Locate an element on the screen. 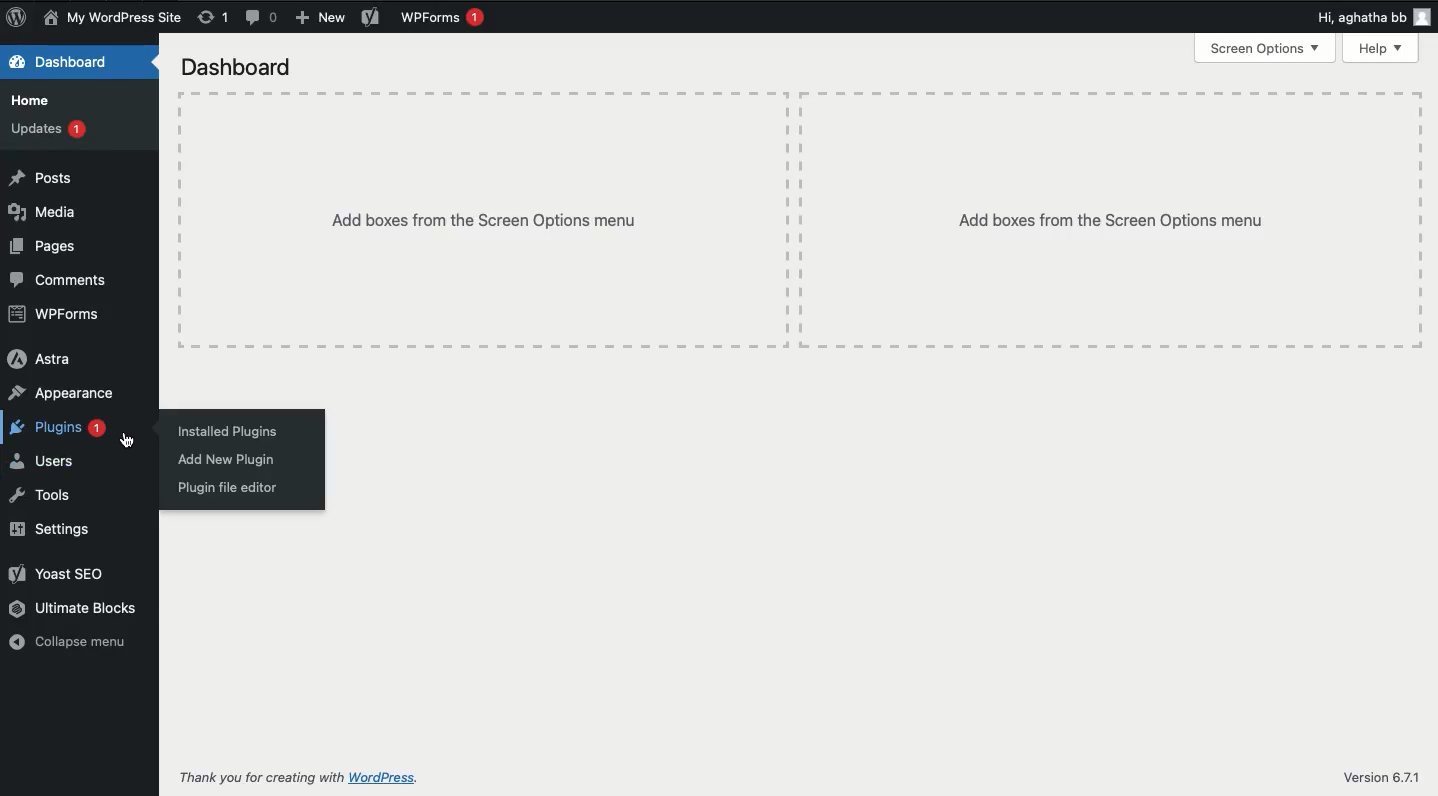 The height and width of the screenshot is (796, 1438). Dashboard is located at coordinates (60, 61).